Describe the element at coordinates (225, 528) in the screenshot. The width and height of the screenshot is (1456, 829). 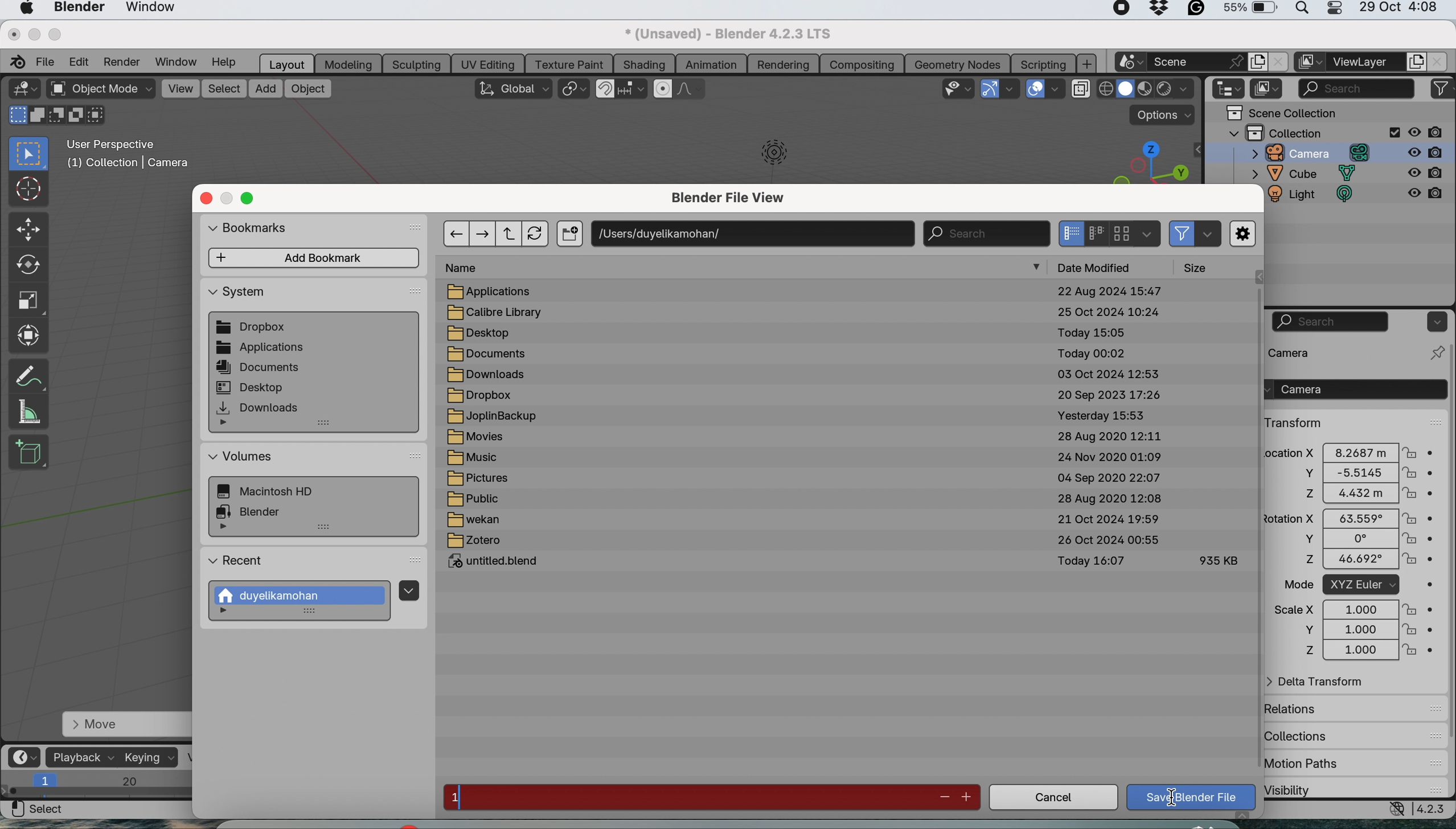
I see `more` at that location.